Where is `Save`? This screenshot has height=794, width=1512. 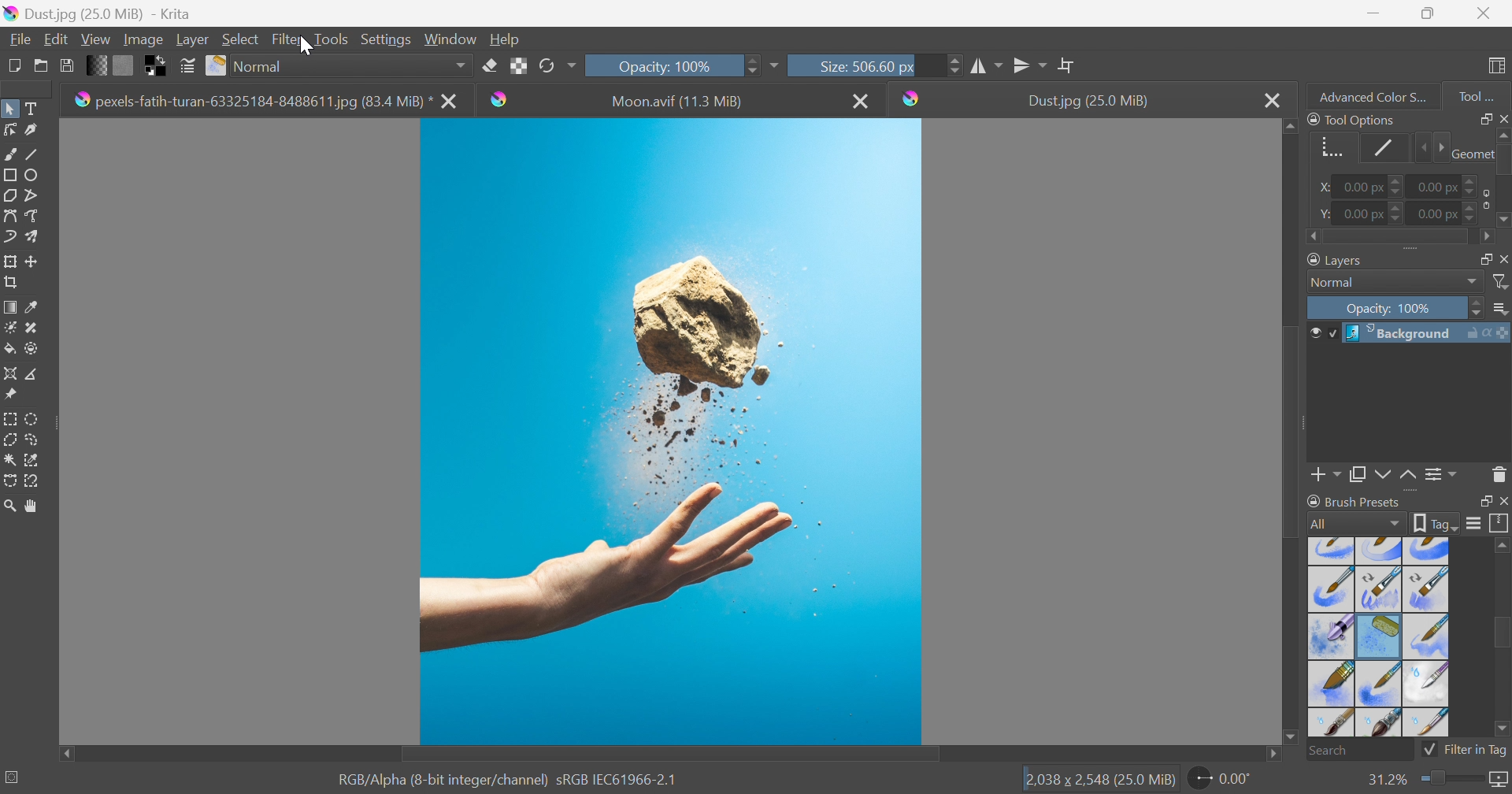 Save is located at coordinates (65, 64).